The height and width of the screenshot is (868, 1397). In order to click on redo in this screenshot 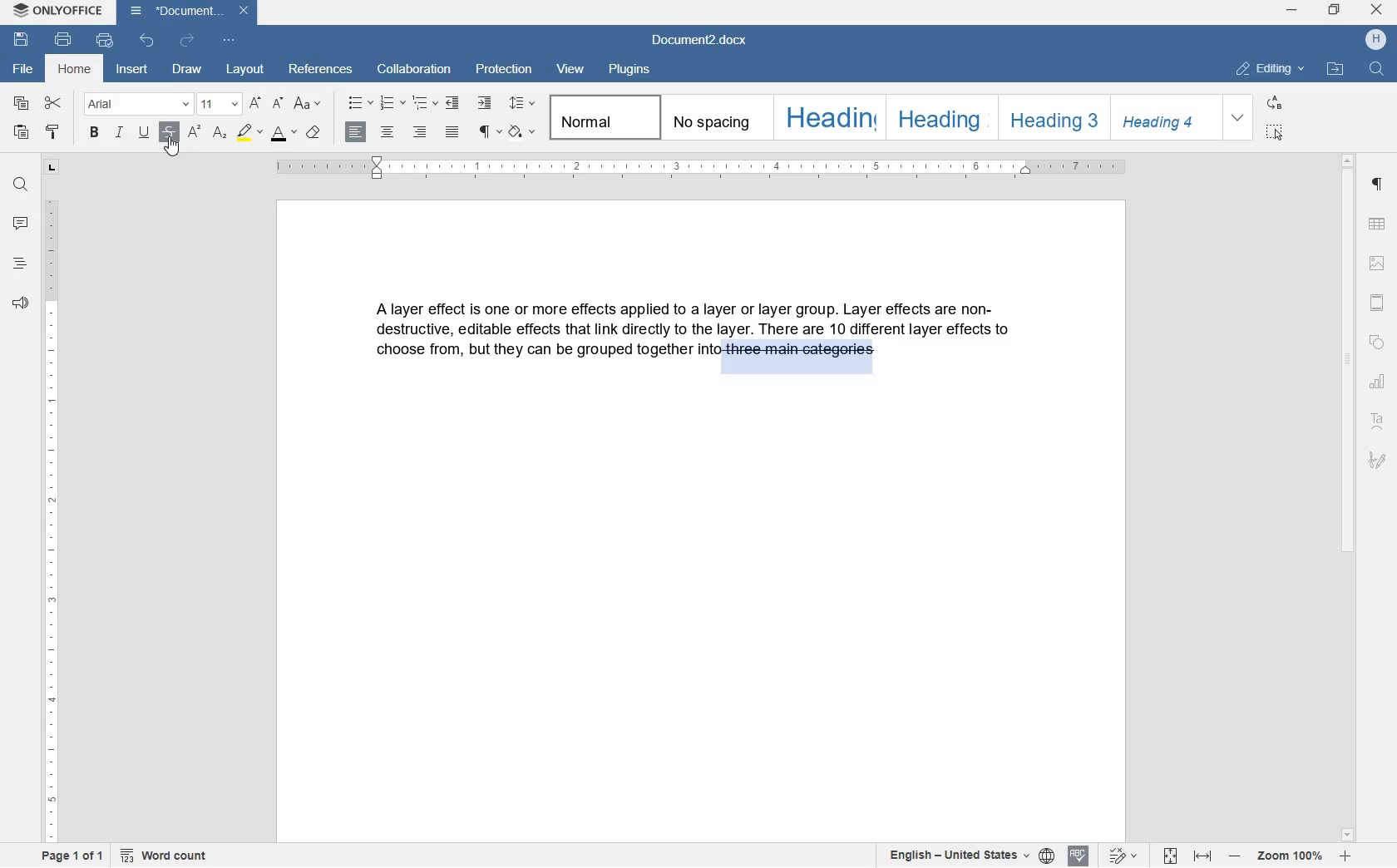, I will do `click(186, 41)`.